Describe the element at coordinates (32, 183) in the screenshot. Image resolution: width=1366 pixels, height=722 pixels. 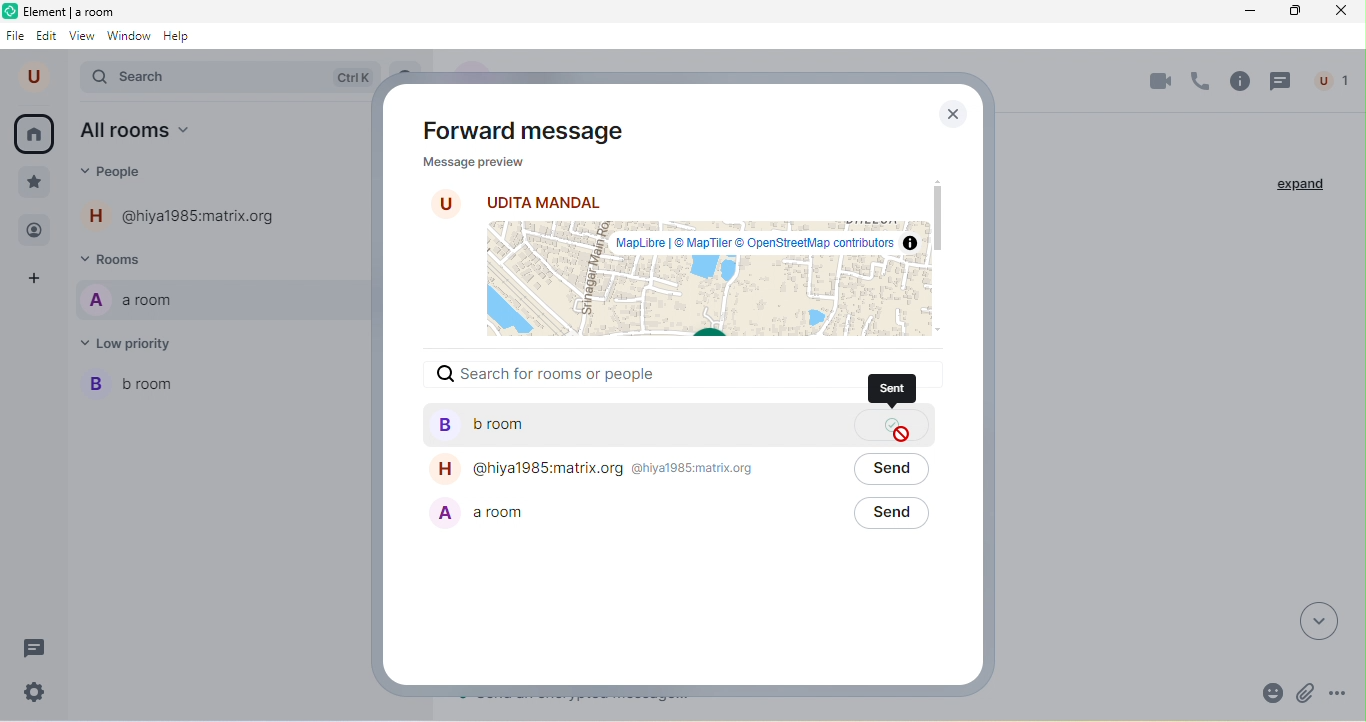
I see `favorite` at that location.